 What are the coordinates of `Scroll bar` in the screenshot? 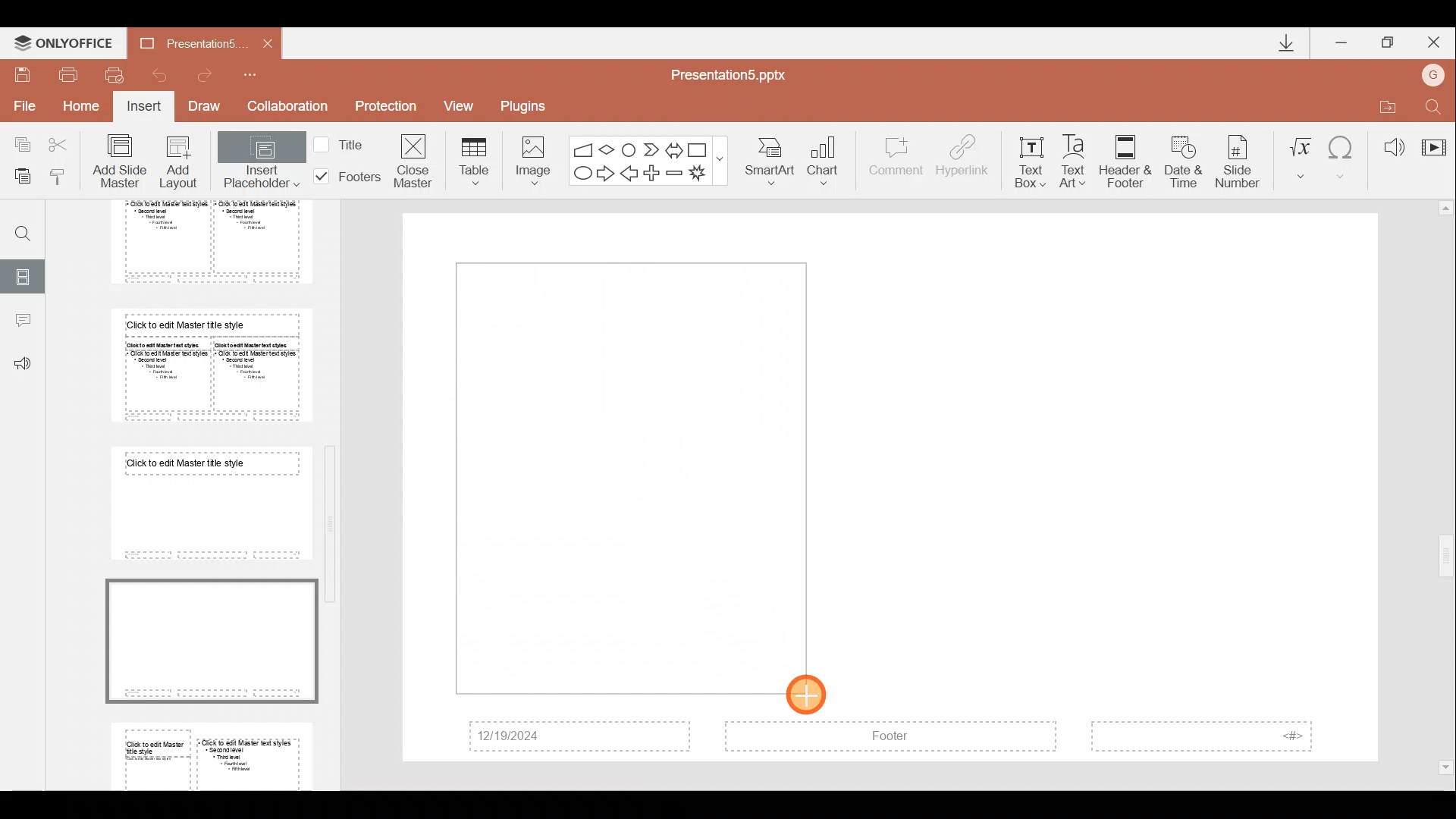 It's located at (1446, 488).